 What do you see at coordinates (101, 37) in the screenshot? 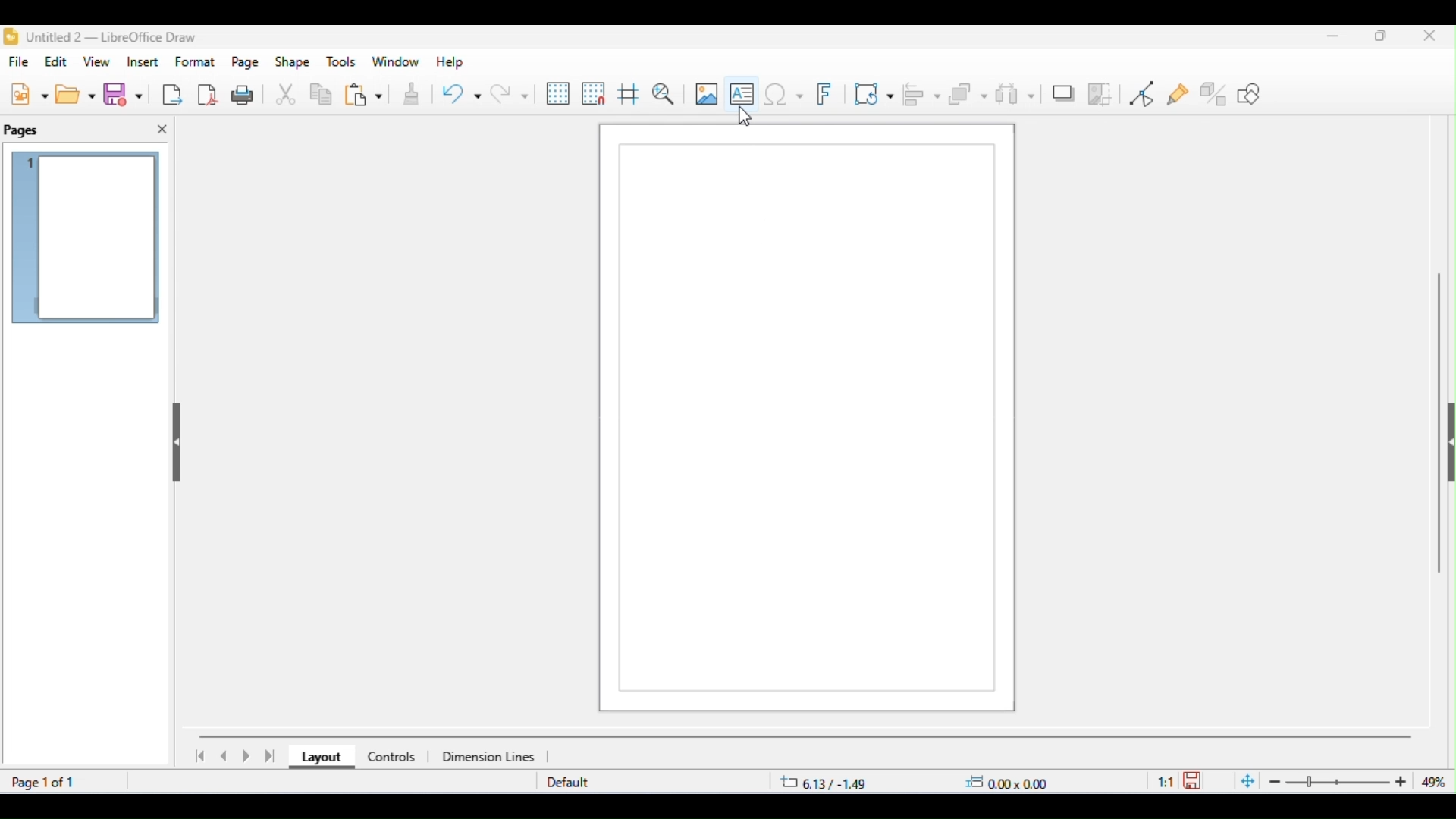
I see `title` at bounding box center [101, 37].